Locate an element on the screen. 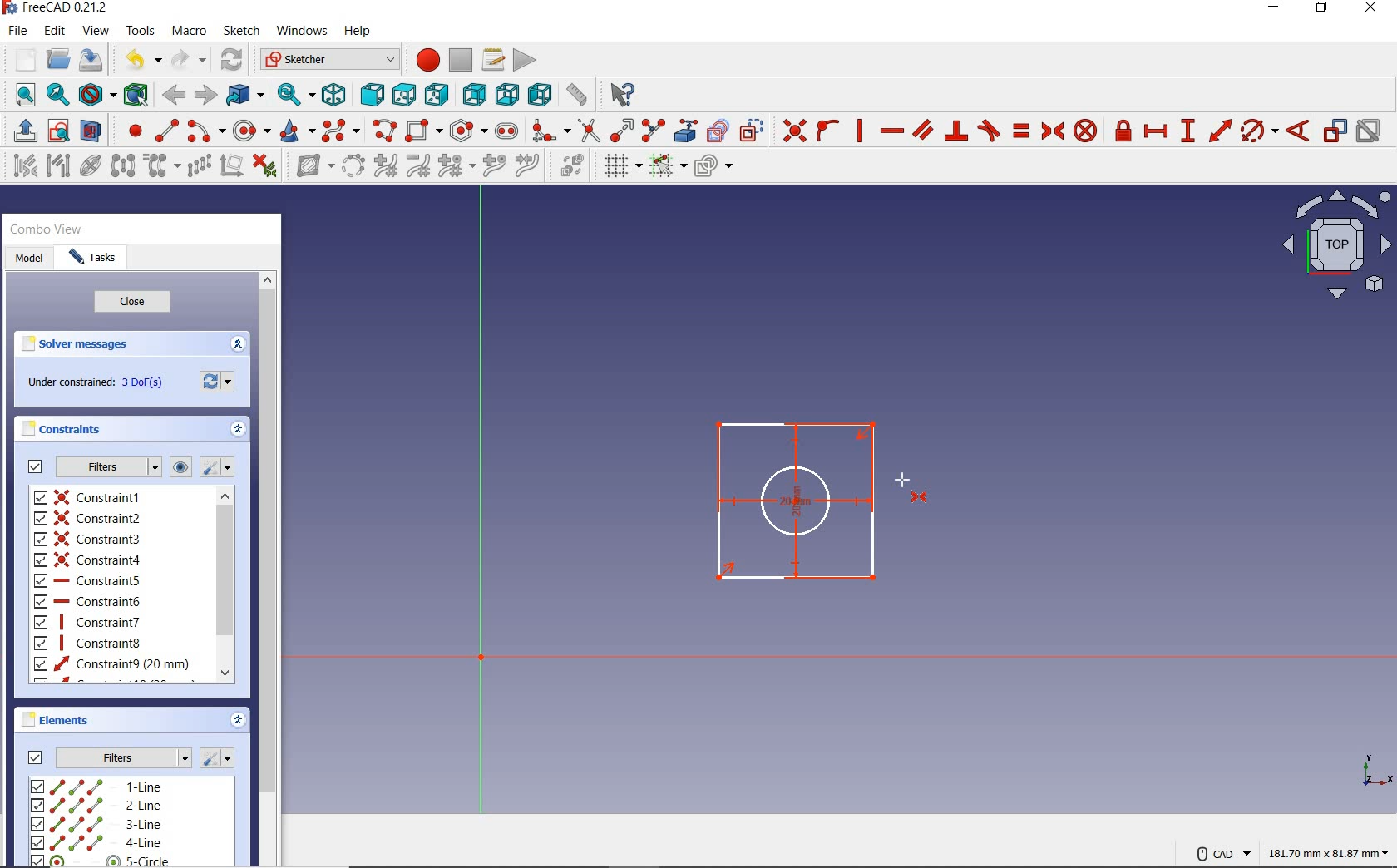 This screenshot has height=868, width=1397. model is located at coordinates (31, 262).